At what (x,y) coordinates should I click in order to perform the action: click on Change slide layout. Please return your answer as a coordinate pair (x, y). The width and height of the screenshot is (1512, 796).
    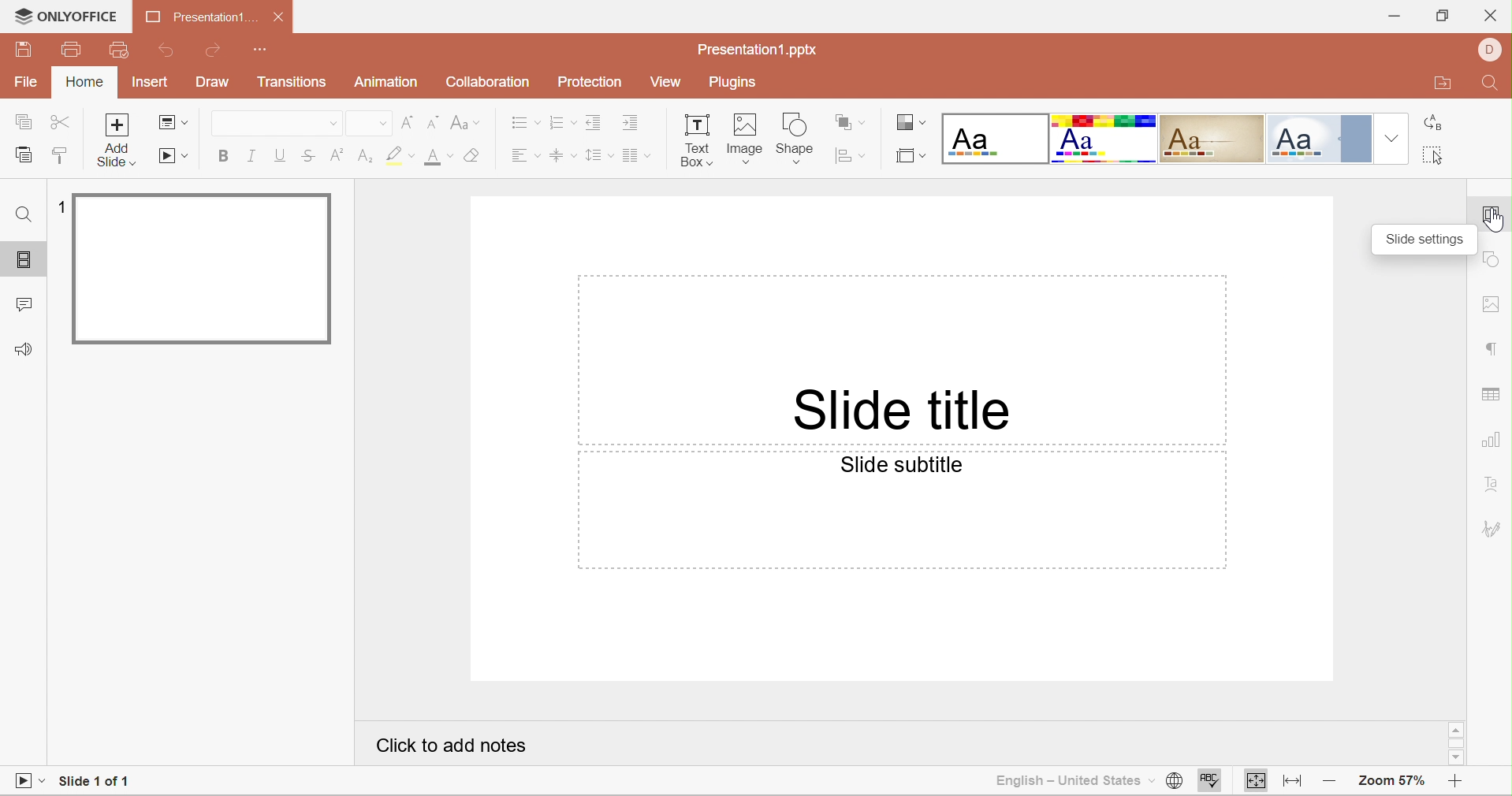
    Looking at the image, I should click on (169, 121).